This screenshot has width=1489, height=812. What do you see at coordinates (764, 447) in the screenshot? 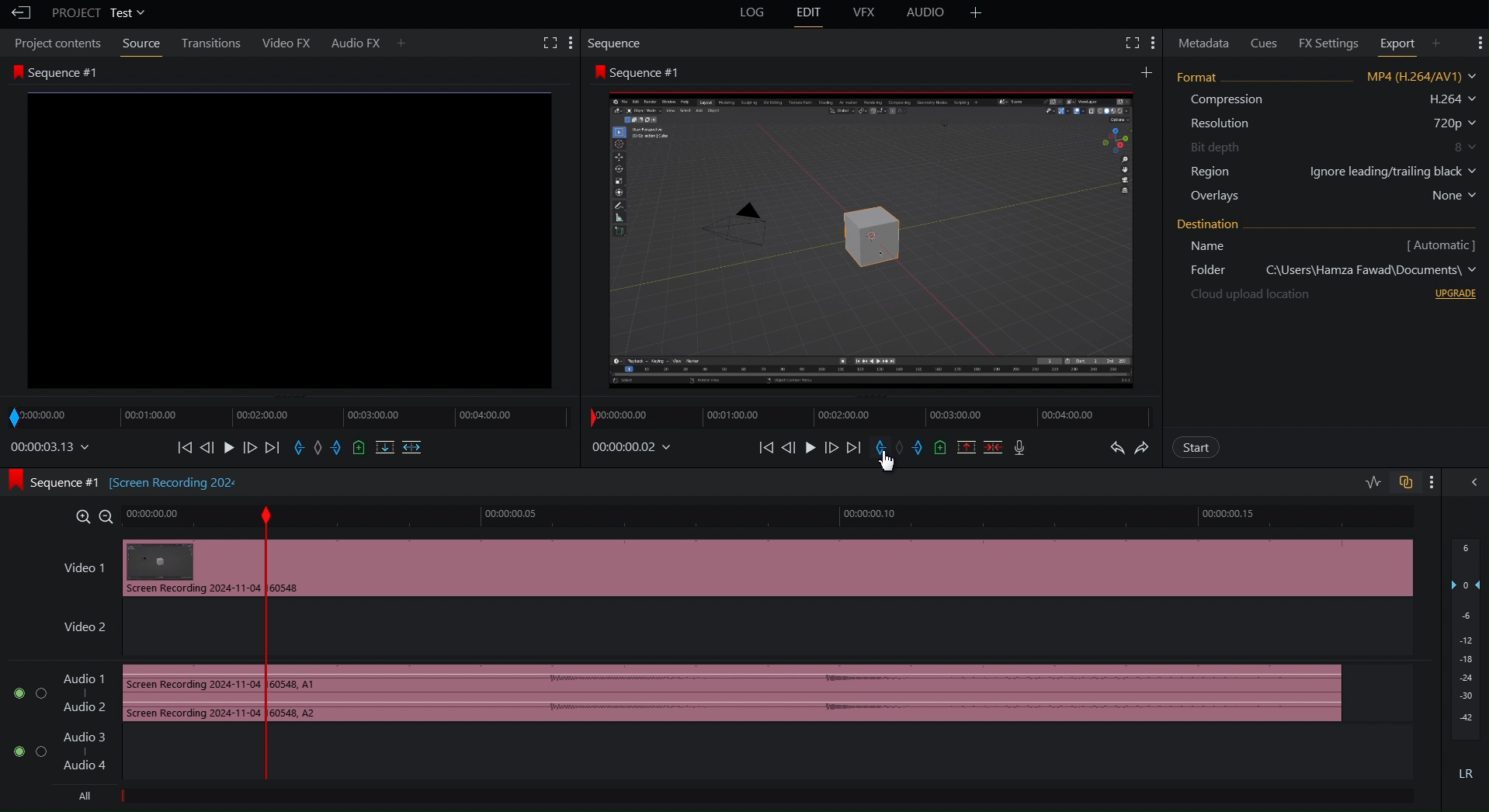
I see `Skip Back` at bounding box center [764, 447].